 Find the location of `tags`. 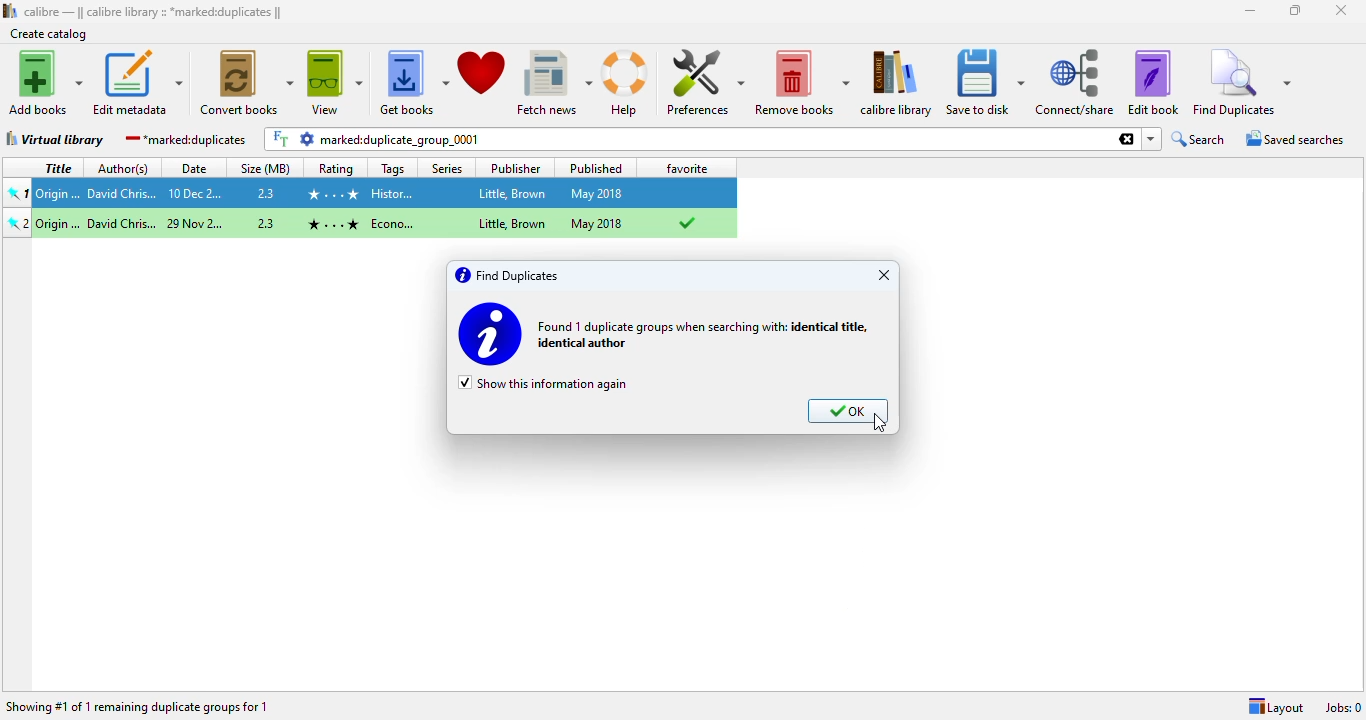

tags is located at coordinates (389, 167).